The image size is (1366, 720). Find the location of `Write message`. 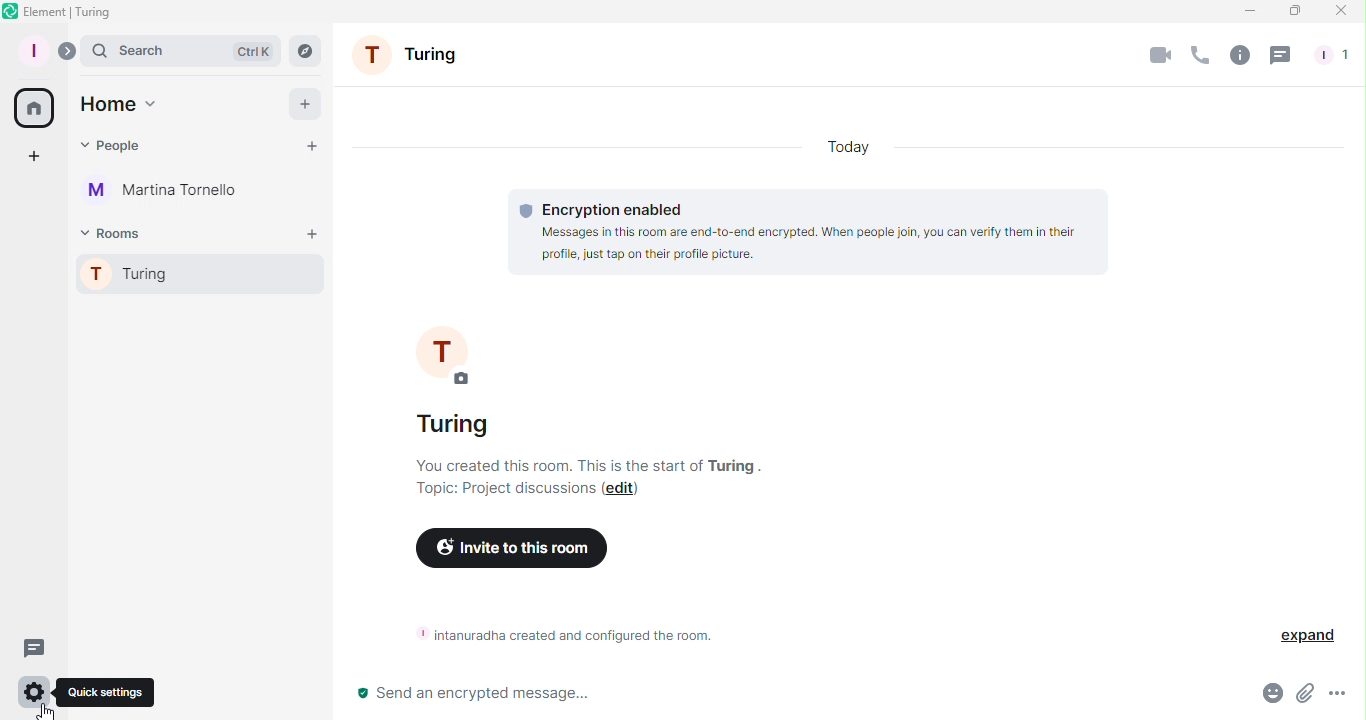

Write message is located at coordinates (764, 697).